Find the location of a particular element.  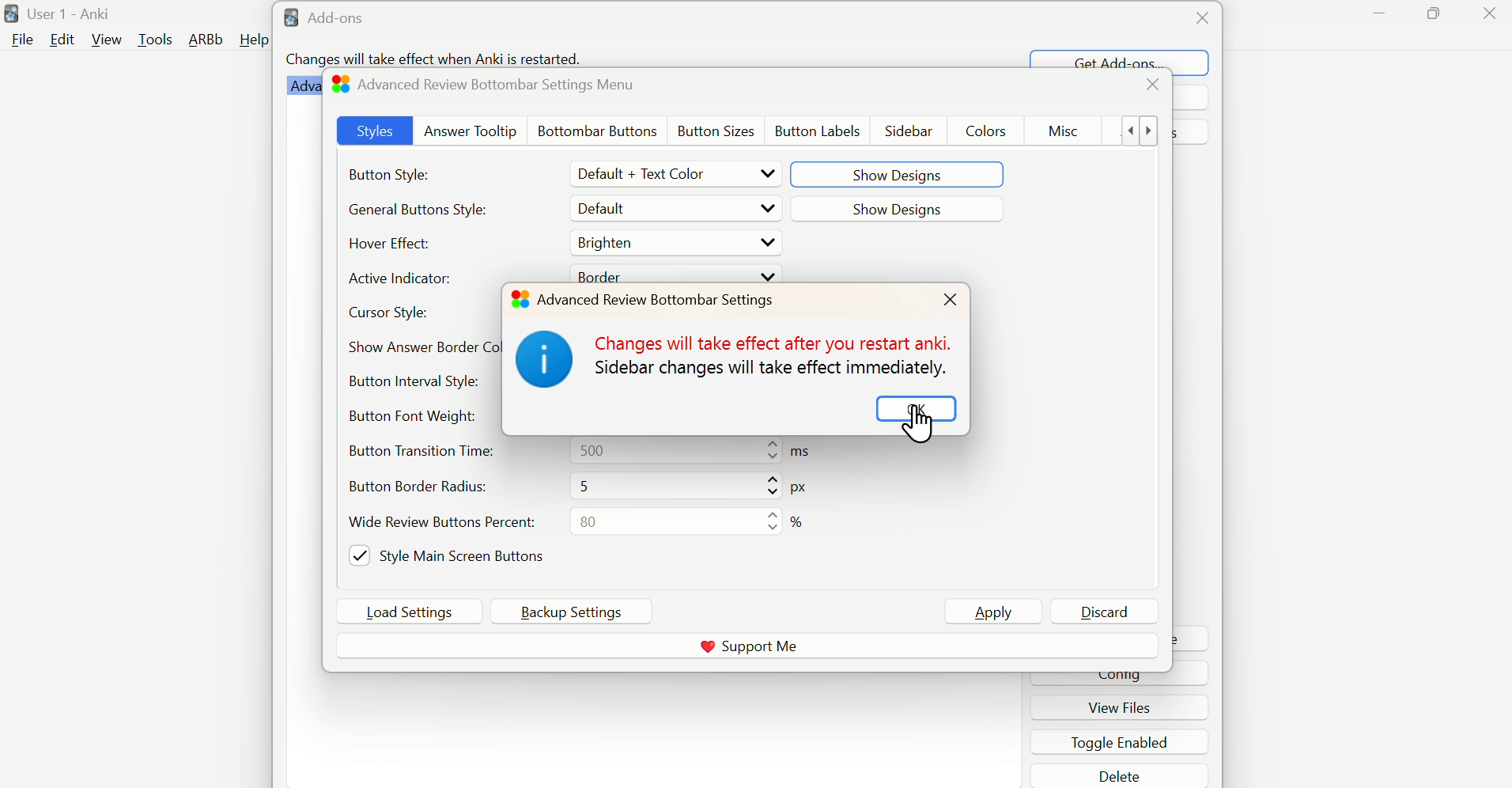

Drop up/down buttons is located at coordinates (766, 218).